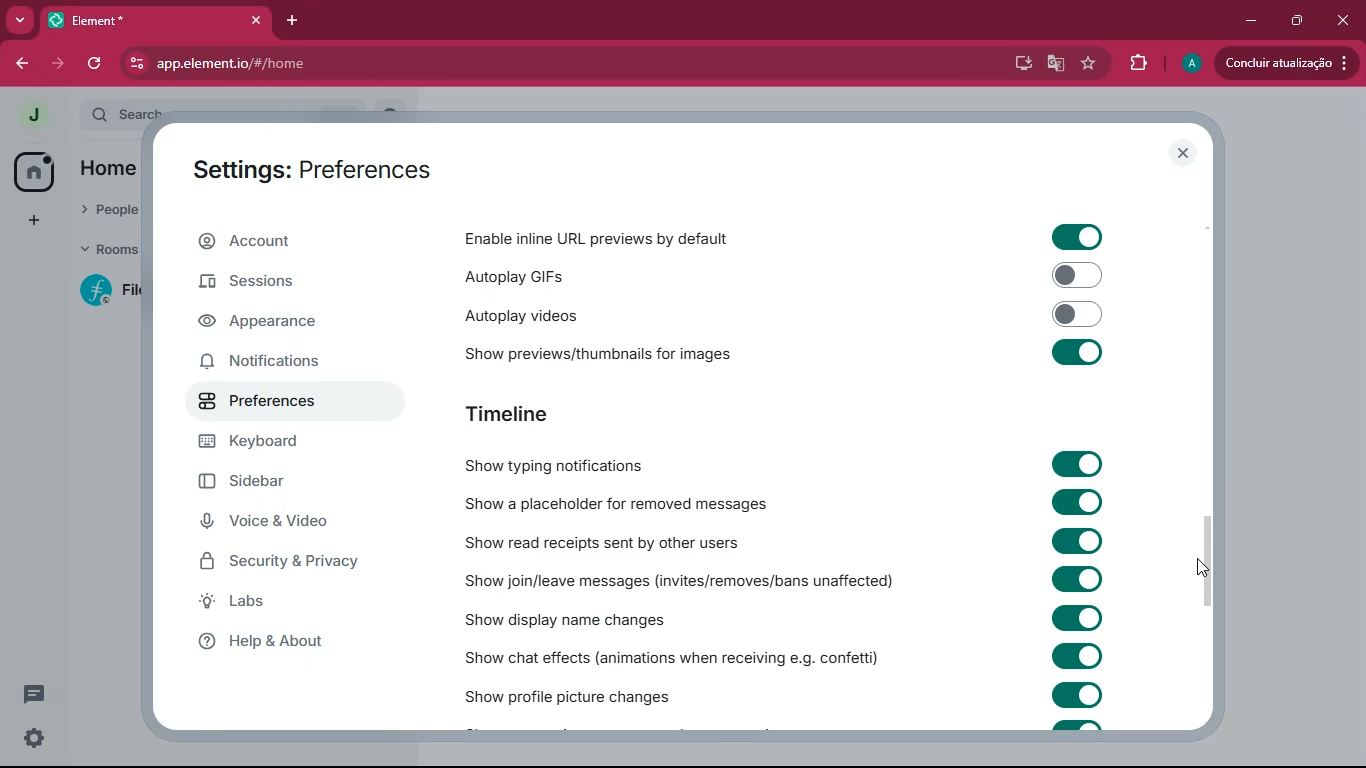 This screenshot has width=1366, height=768. Describe the element at coordinates (323, 168) in the screenshot. I see `settings: preferences` at that location.